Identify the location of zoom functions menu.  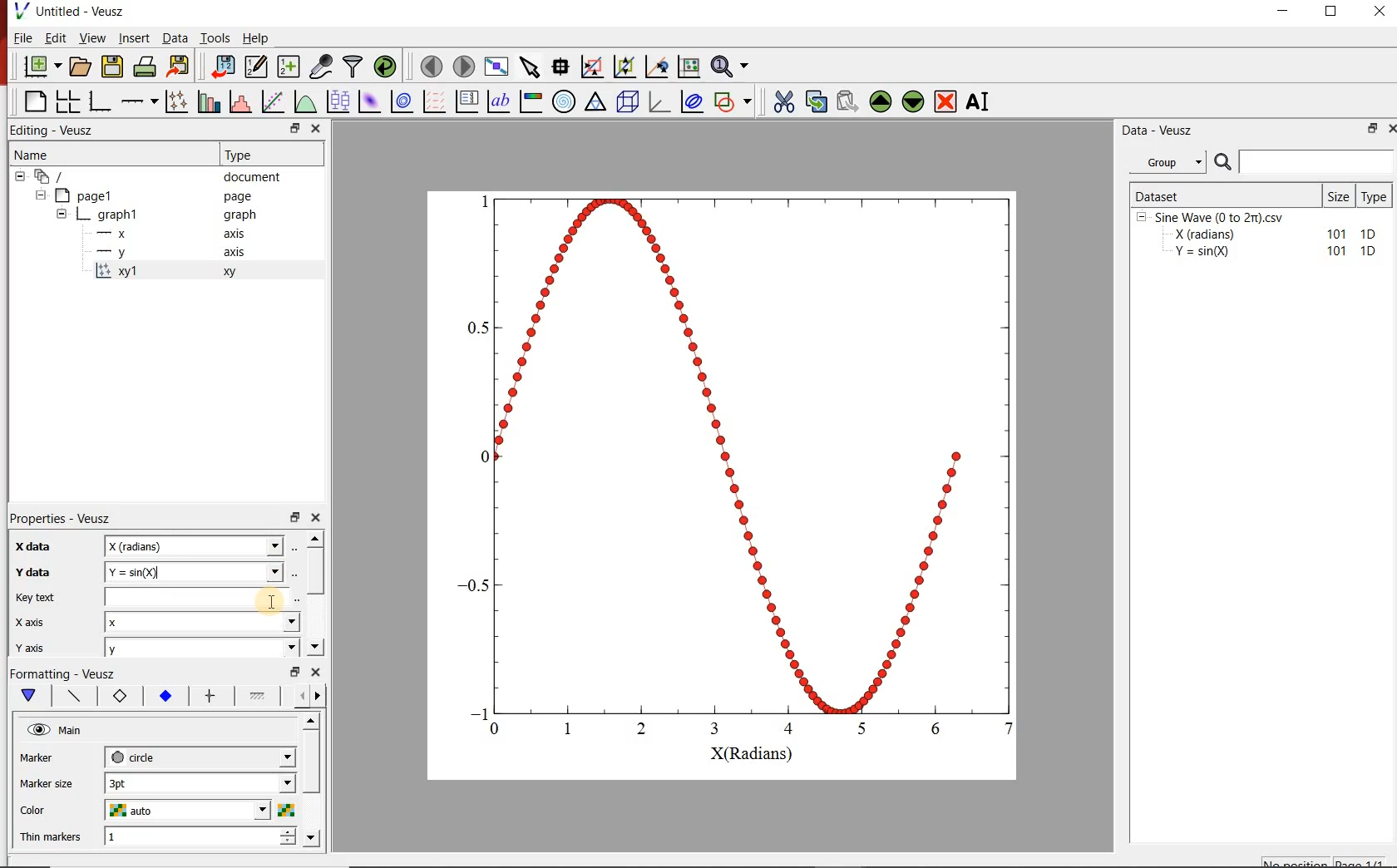
(732, 64).